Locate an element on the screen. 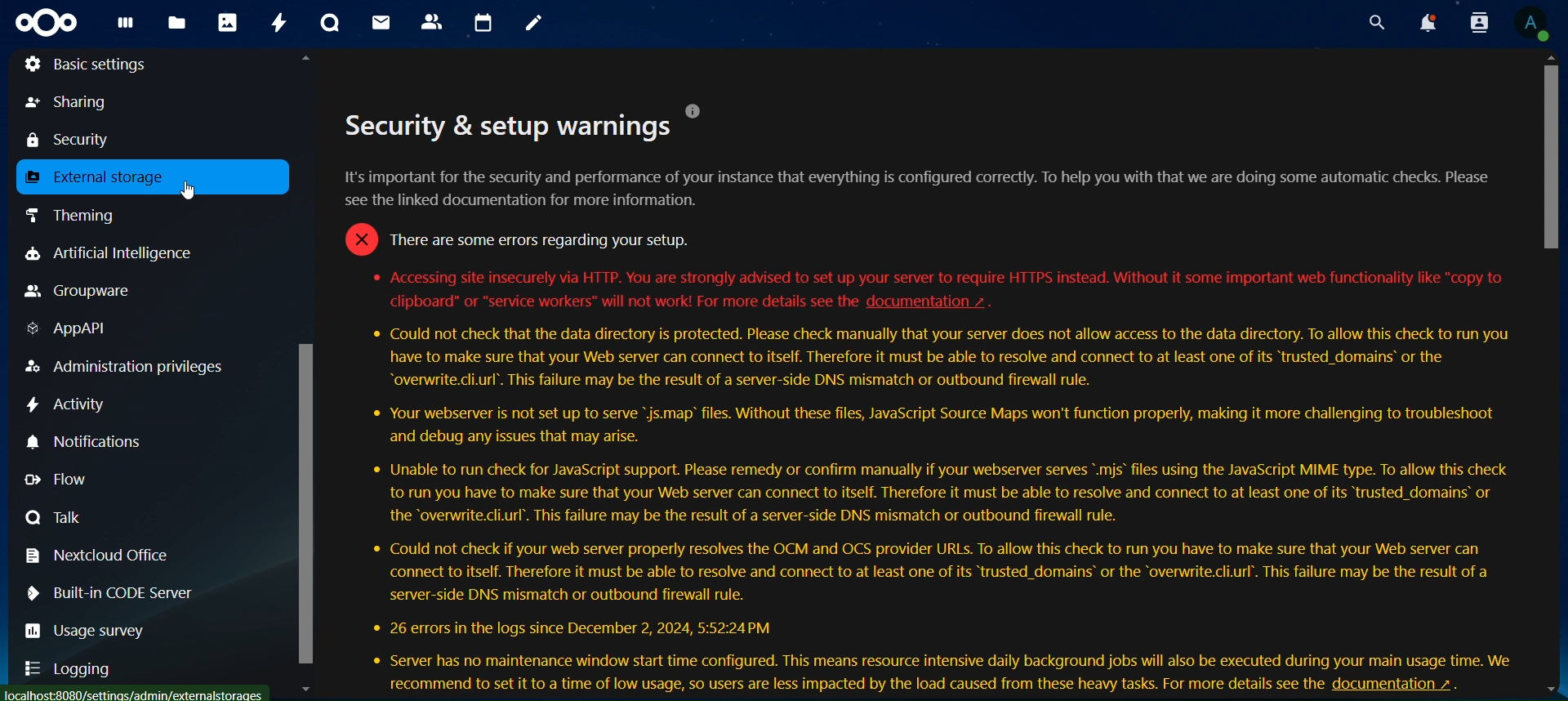  administration privileges is located at coordinates (123, 367).